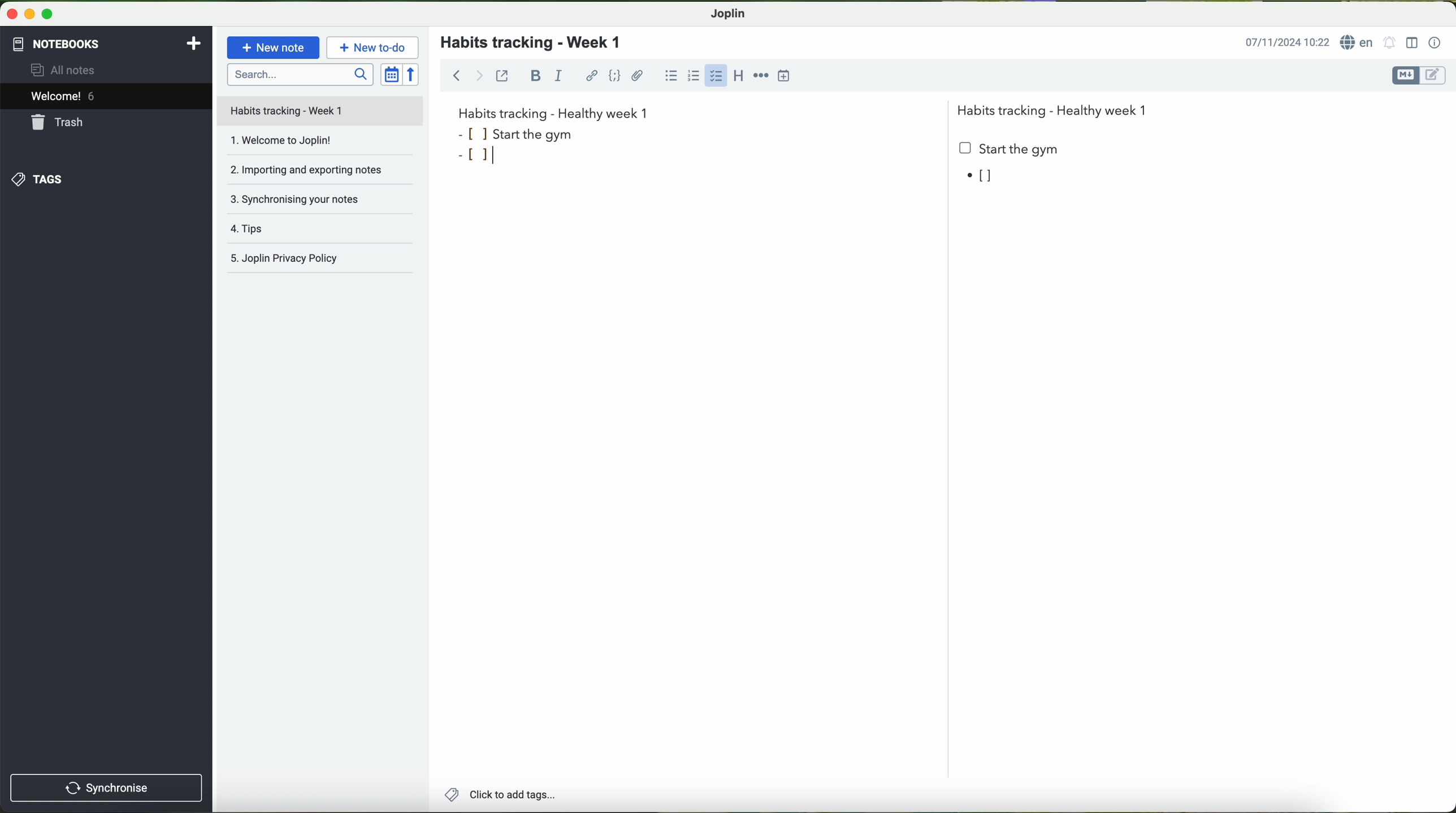 This screenshot has height=813, width=1456. Describe the element at coordinates (320, 111) in the screenshot. I see `file title` at that location.